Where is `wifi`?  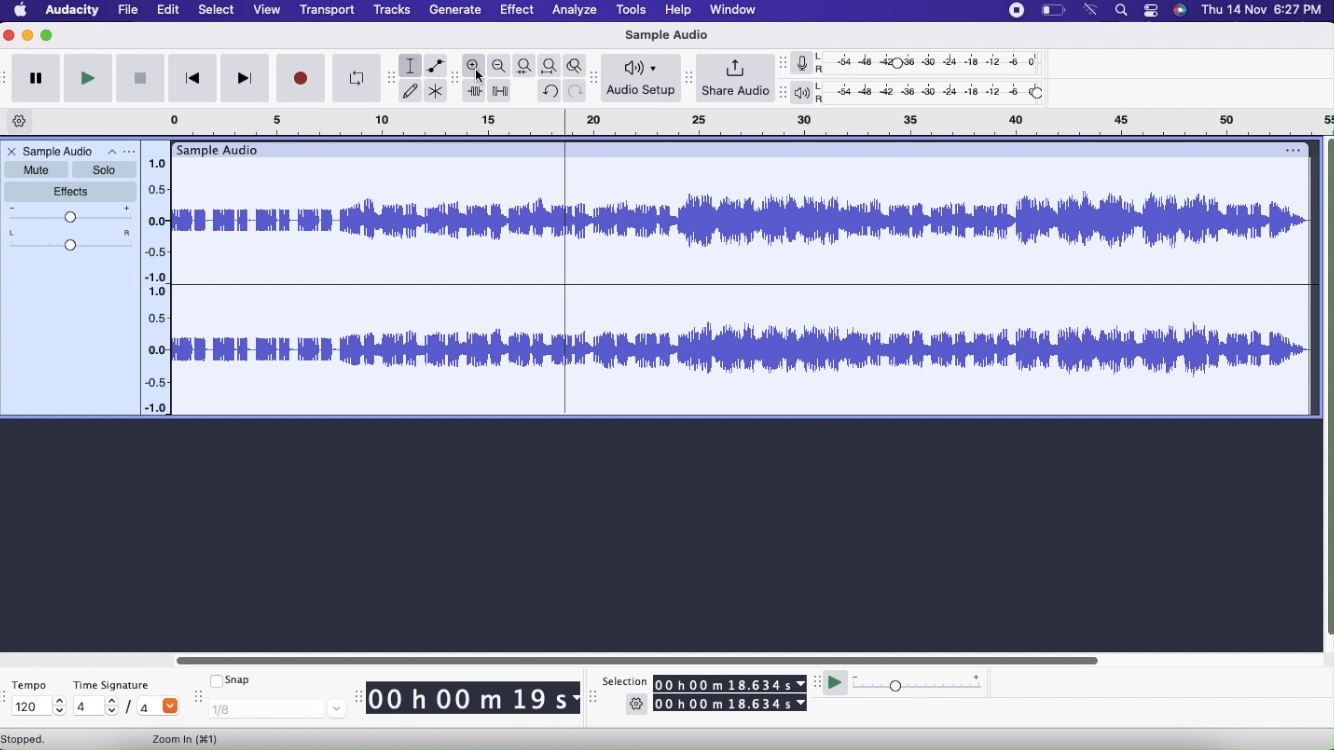
wifi is located at coordinates (1092, 11).